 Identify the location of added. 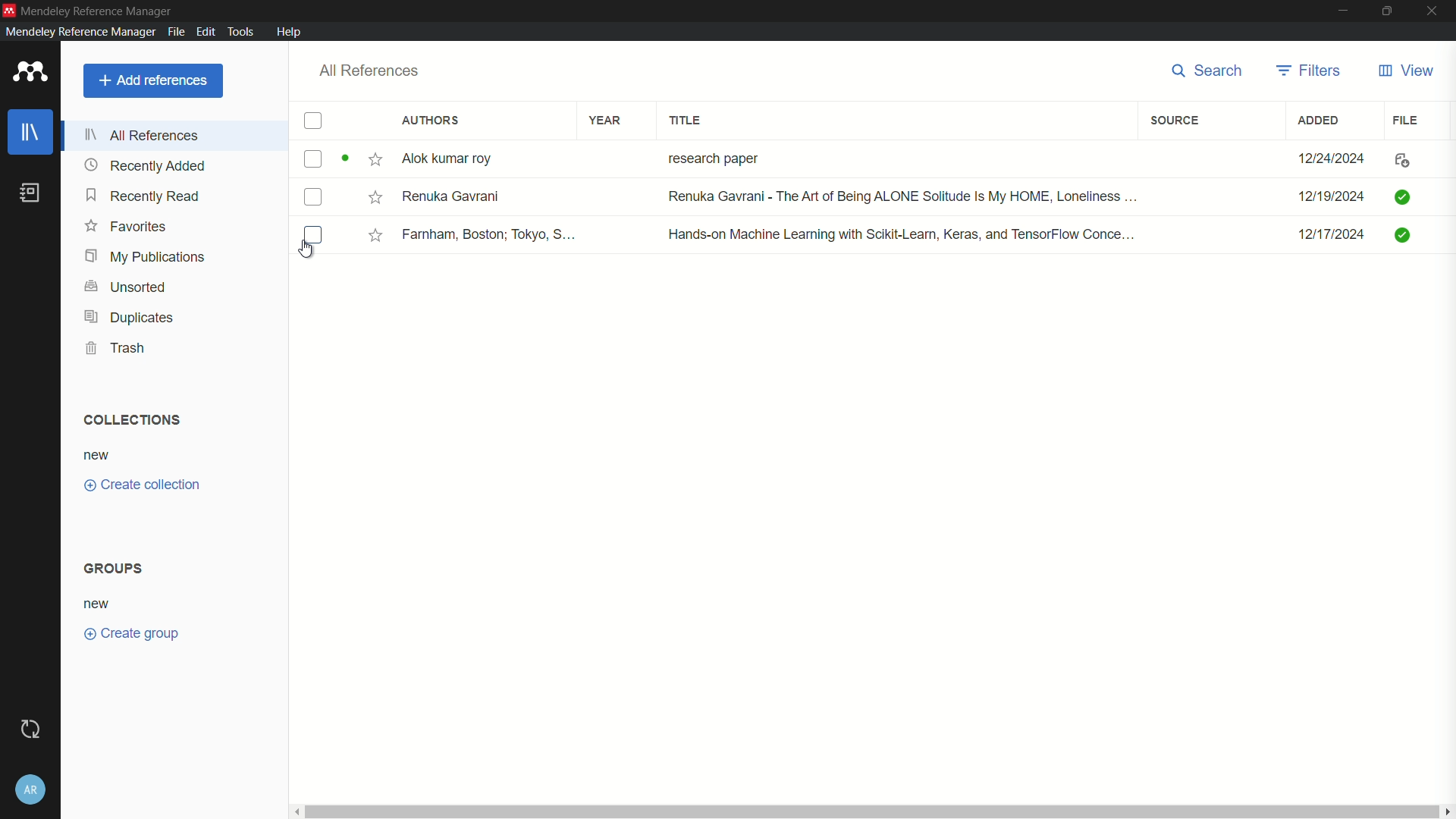
(1319, 121).